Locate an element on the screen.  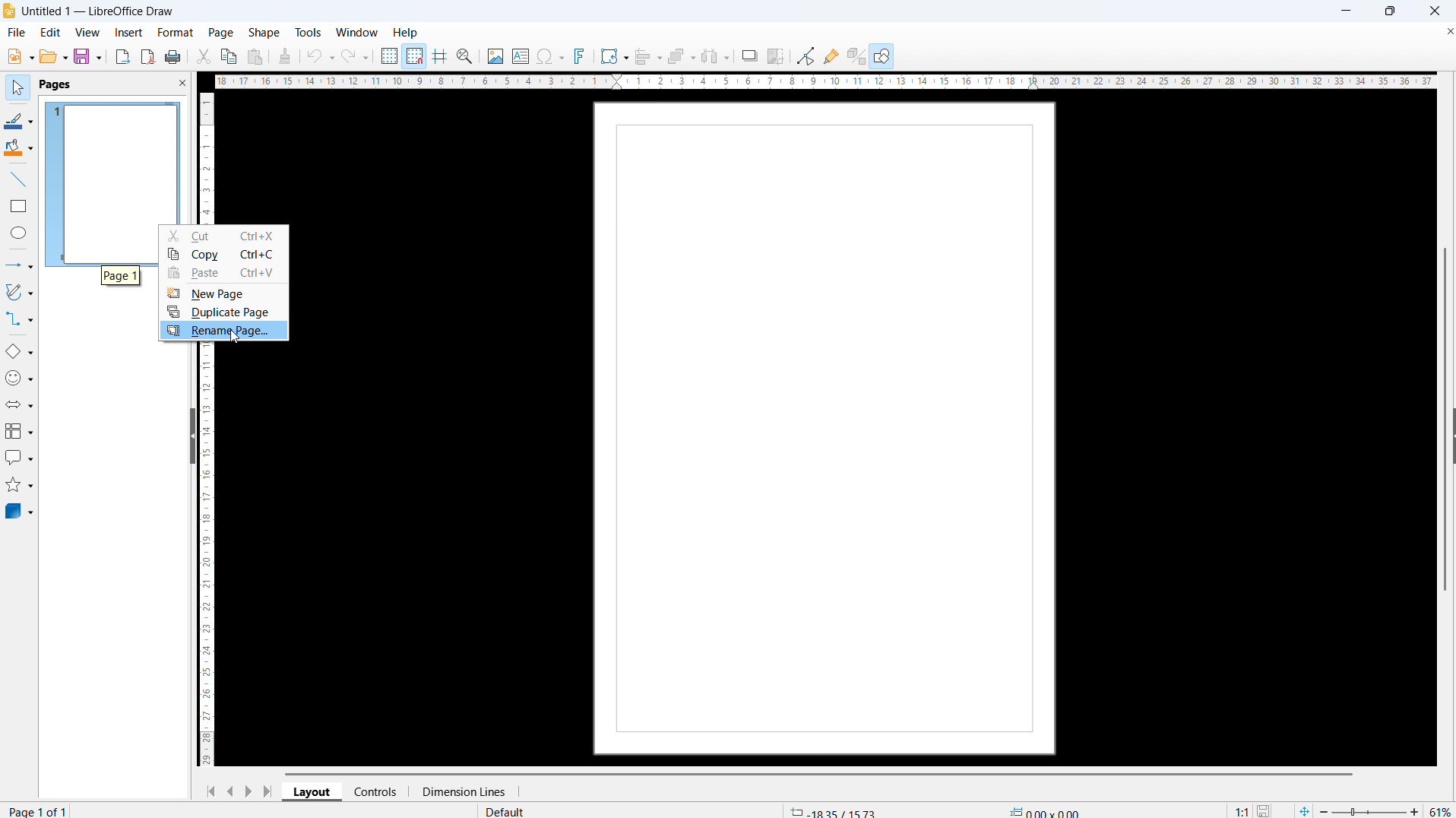
insert fontwork text is located at coordinates (580, 56).